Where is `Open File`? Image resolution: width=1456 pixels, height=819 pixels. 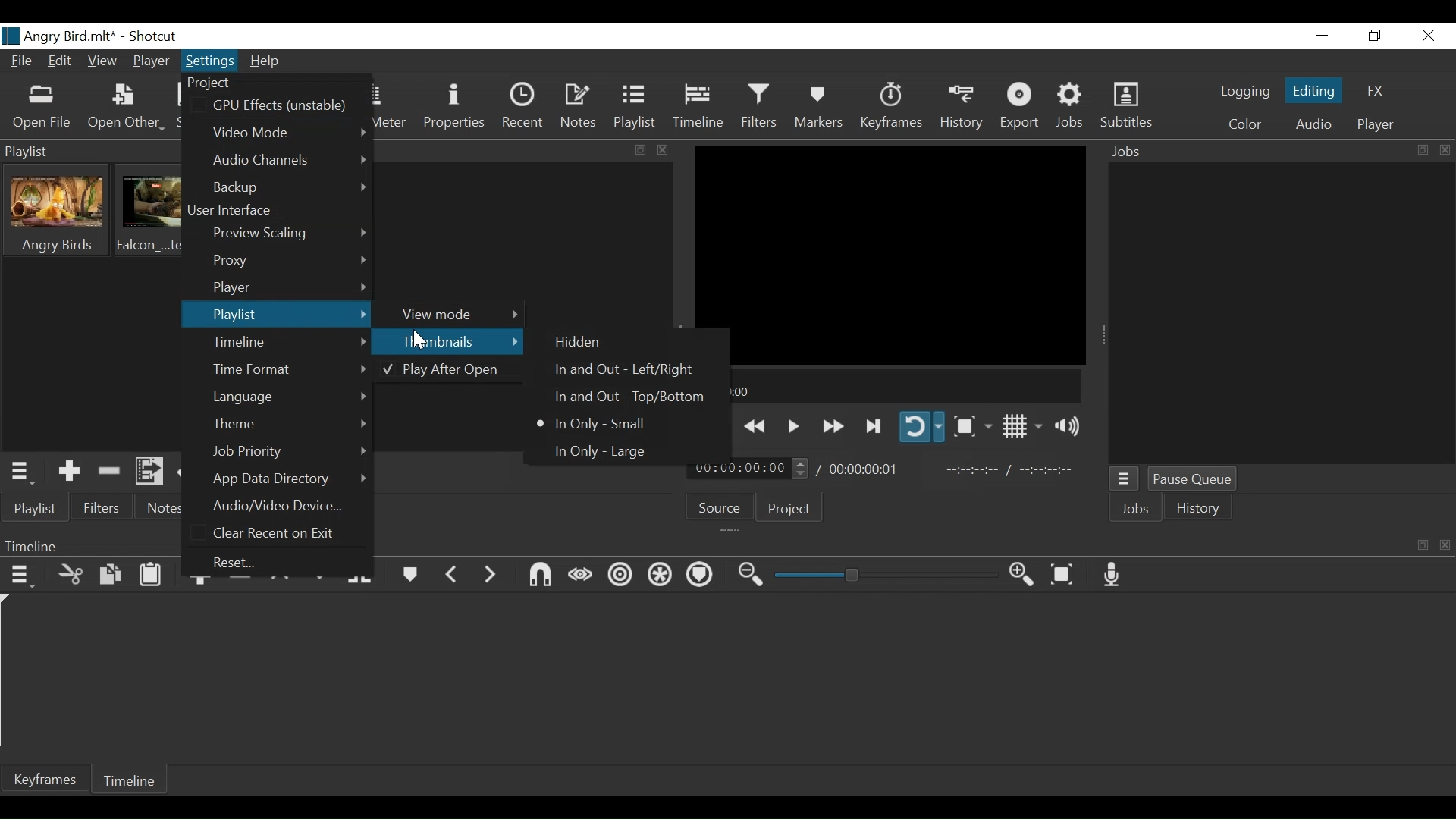 Open File is located at coordinates (43, 108).